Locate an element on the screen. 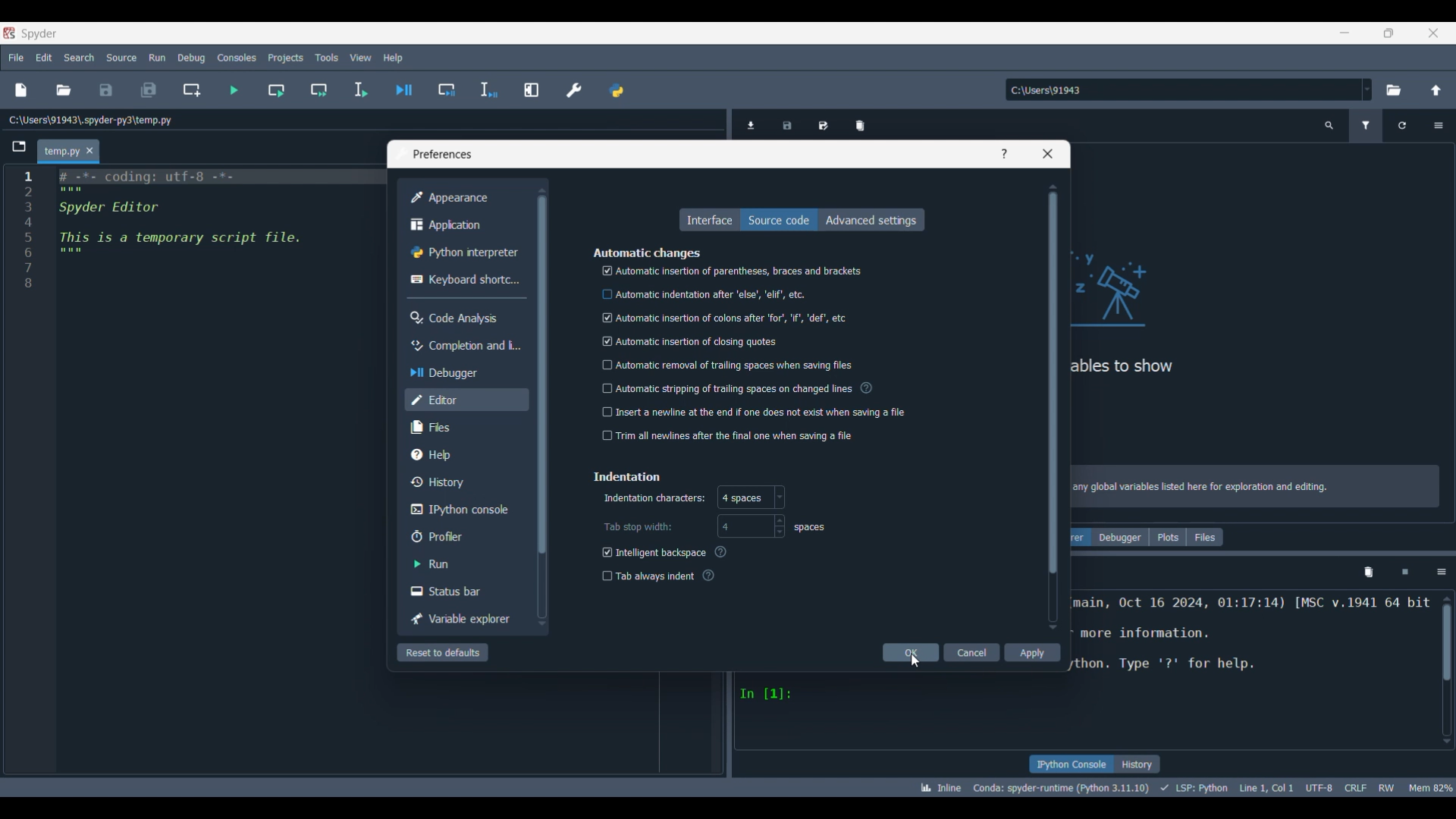 The width and height of the screenshot is (1456, 819). | Automatic removal of trailing spaces when saving files is located at coordinates (723, 365).